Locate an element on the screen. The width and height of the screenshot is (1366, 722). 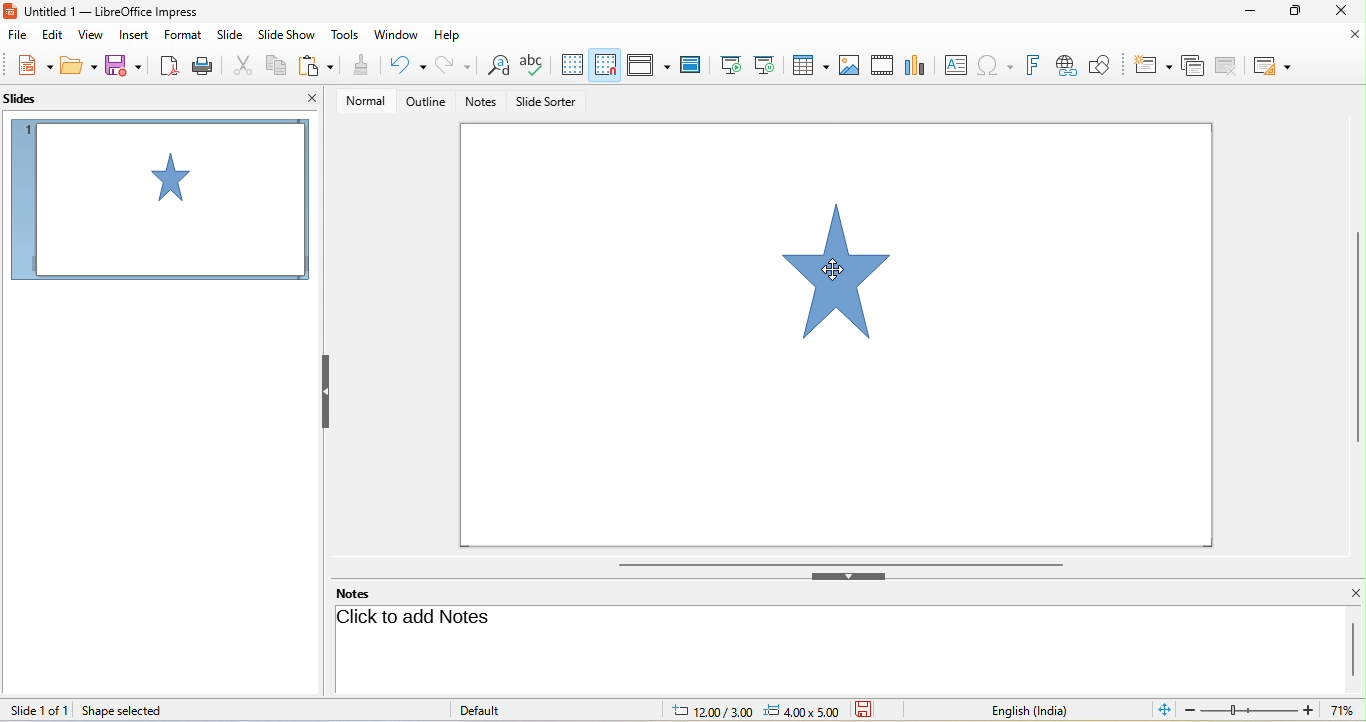
master slide is located at coordinates (692, 65).